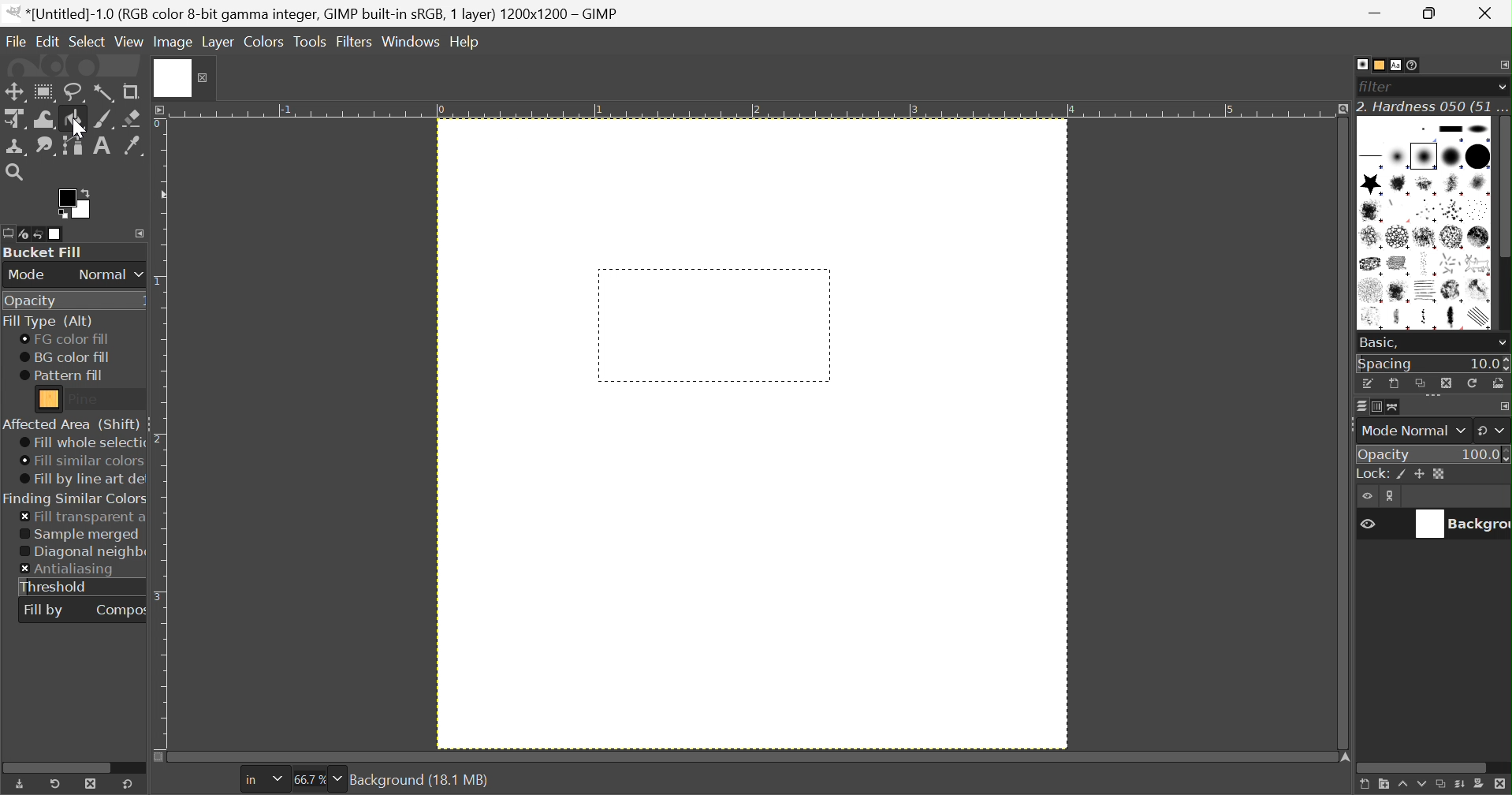 This screenshot has width=1512, height=795. What do you see at coordinates (1458, 524) in the screenshot?
I see `Background` at bounding box center [1458, 524].